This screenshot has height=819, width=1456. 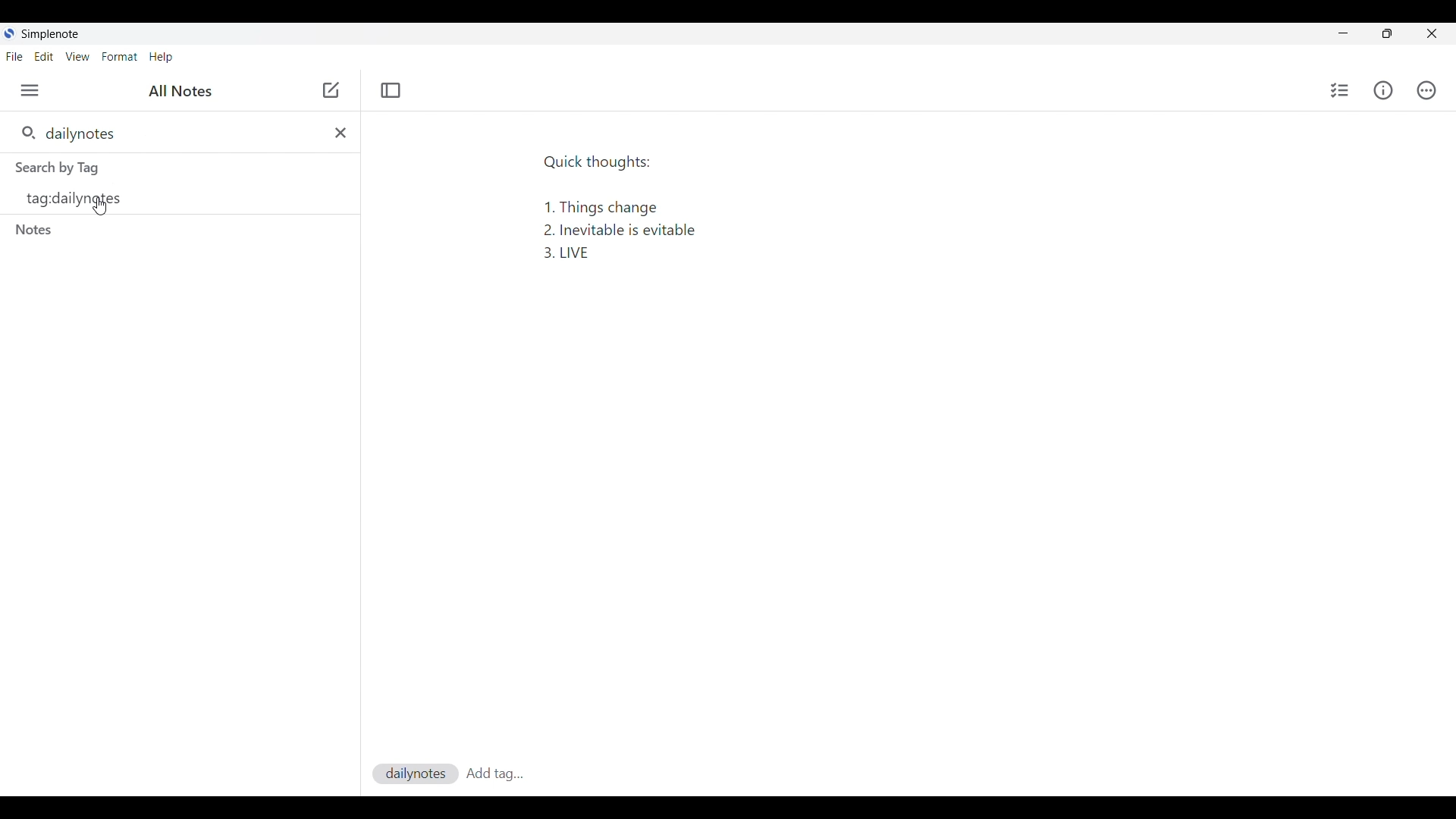 What do you see at coordinates (120, 57) in the screenshot?
I see `Format menu` at bounding box center [120, 57].